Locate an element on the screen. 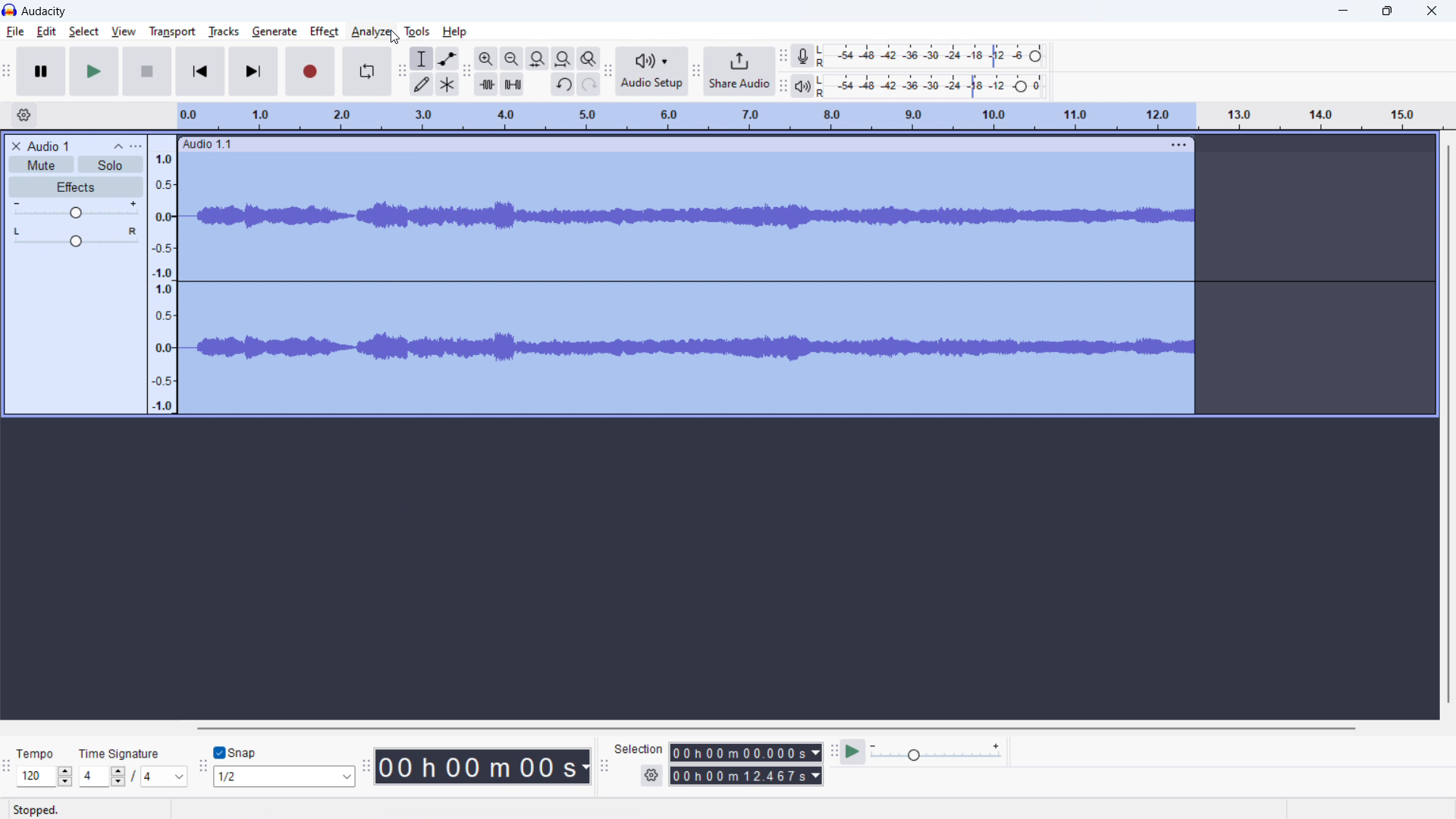  time signature toolbar is located at coordinates (132, 777).